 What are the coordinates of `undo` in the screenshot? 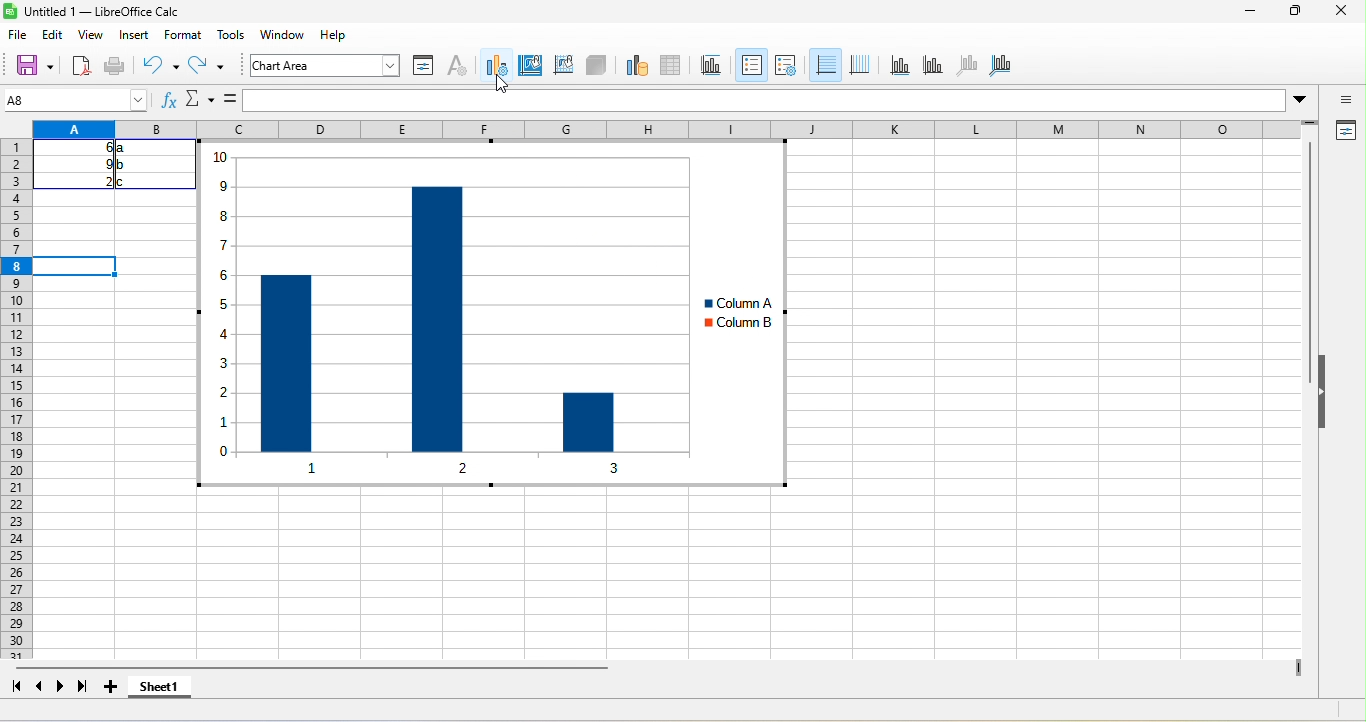 It's located at (157, 66).